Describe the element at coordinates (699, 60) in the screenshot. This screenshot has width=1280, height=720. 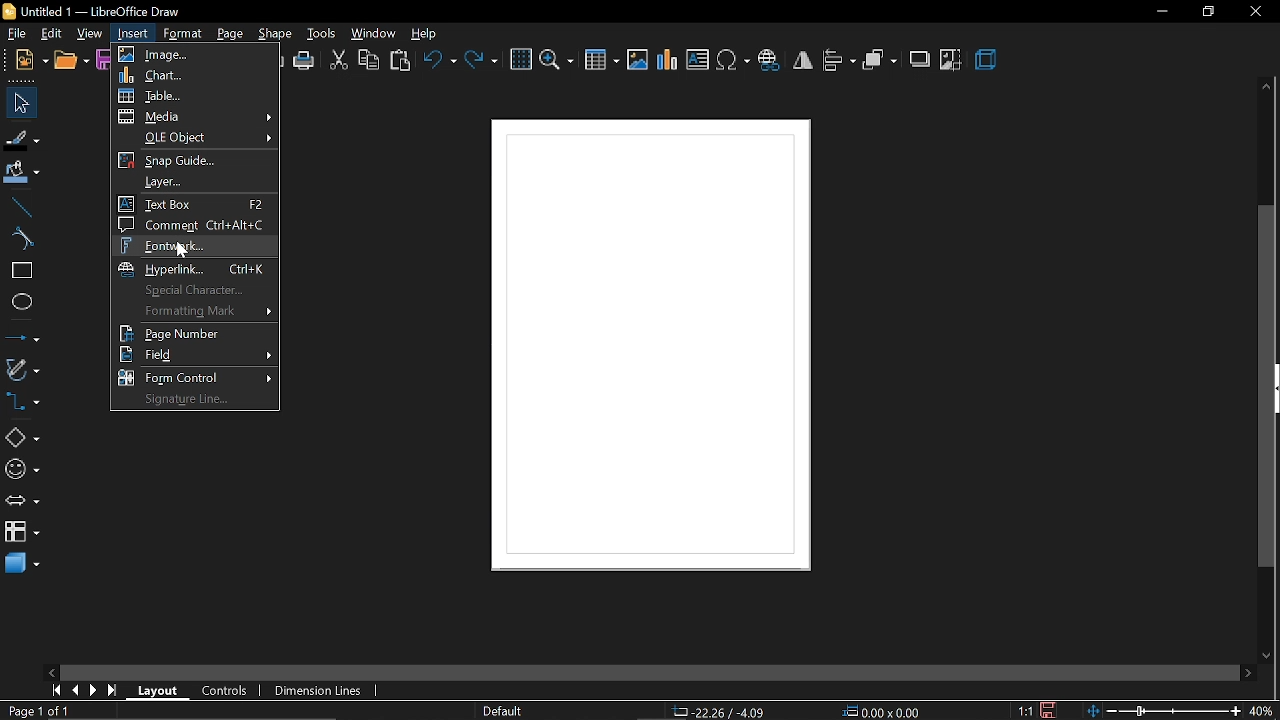
I see `insert text` at that location.